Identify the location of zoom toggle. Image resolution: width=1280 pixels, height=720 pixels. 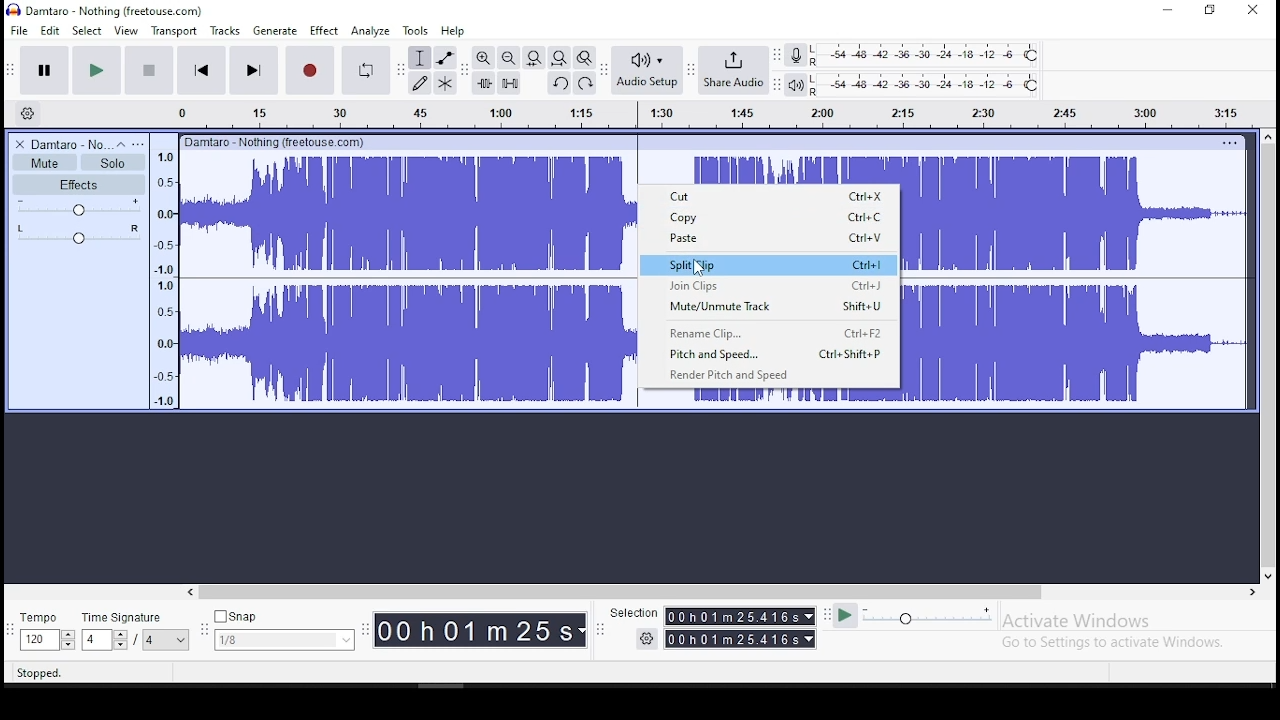
(585, 58).